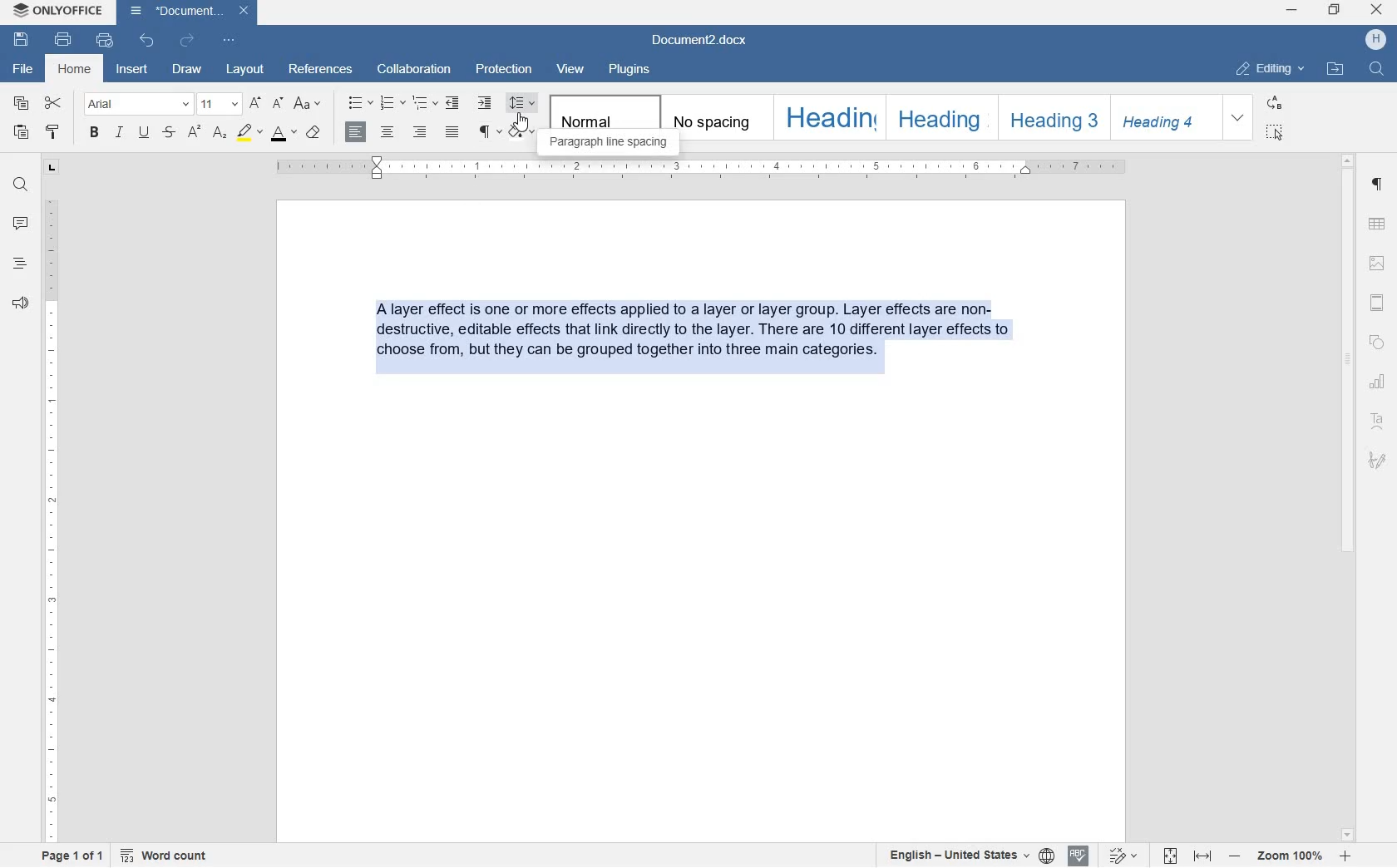 The width and height of the screenshot is (1397, 868). Describe the element at coordinates (187, 70) in the screenshot. I see `draw` at that location.